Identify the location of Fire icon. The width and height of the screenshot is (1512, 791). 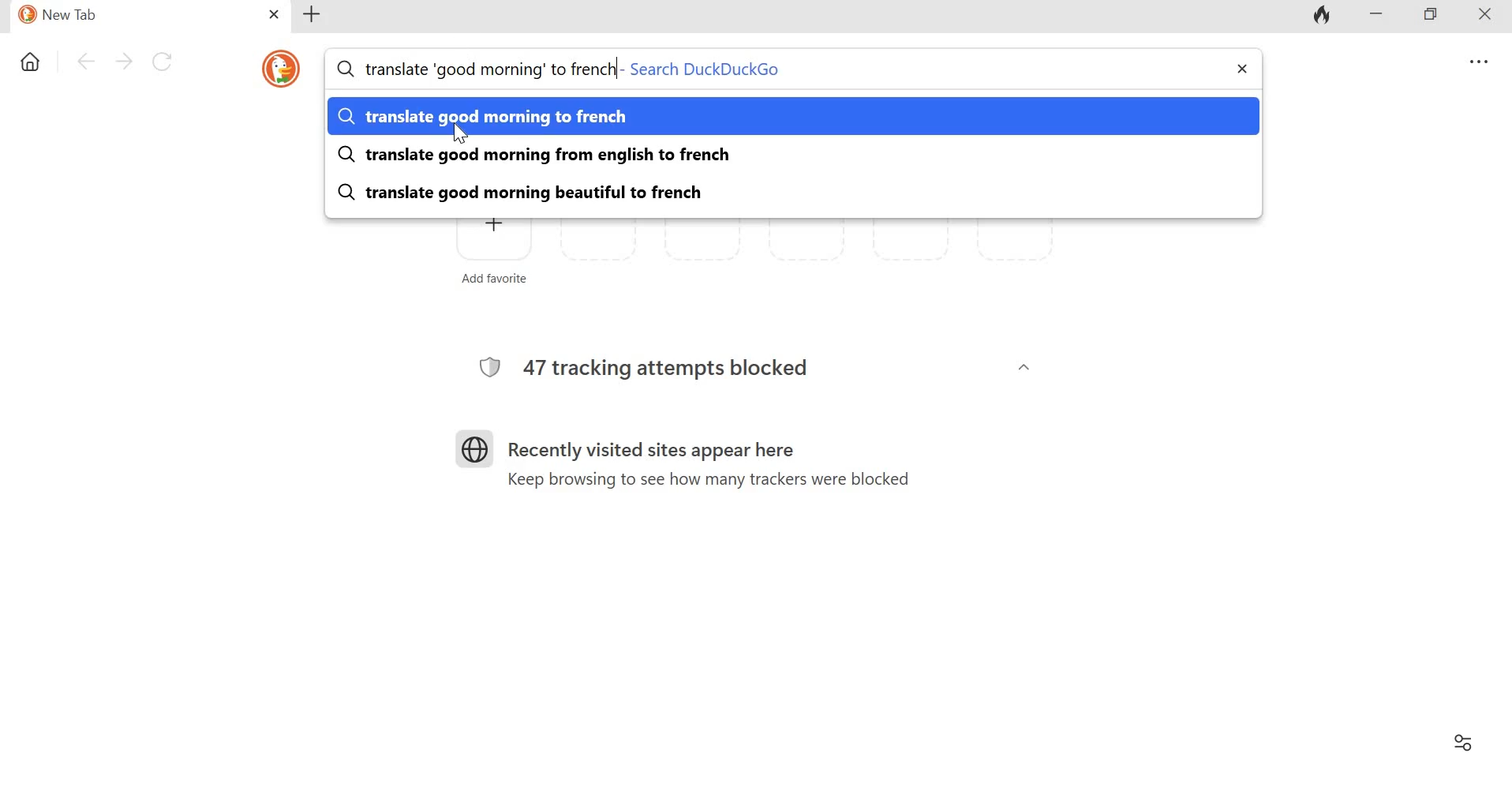
(1327, 15).